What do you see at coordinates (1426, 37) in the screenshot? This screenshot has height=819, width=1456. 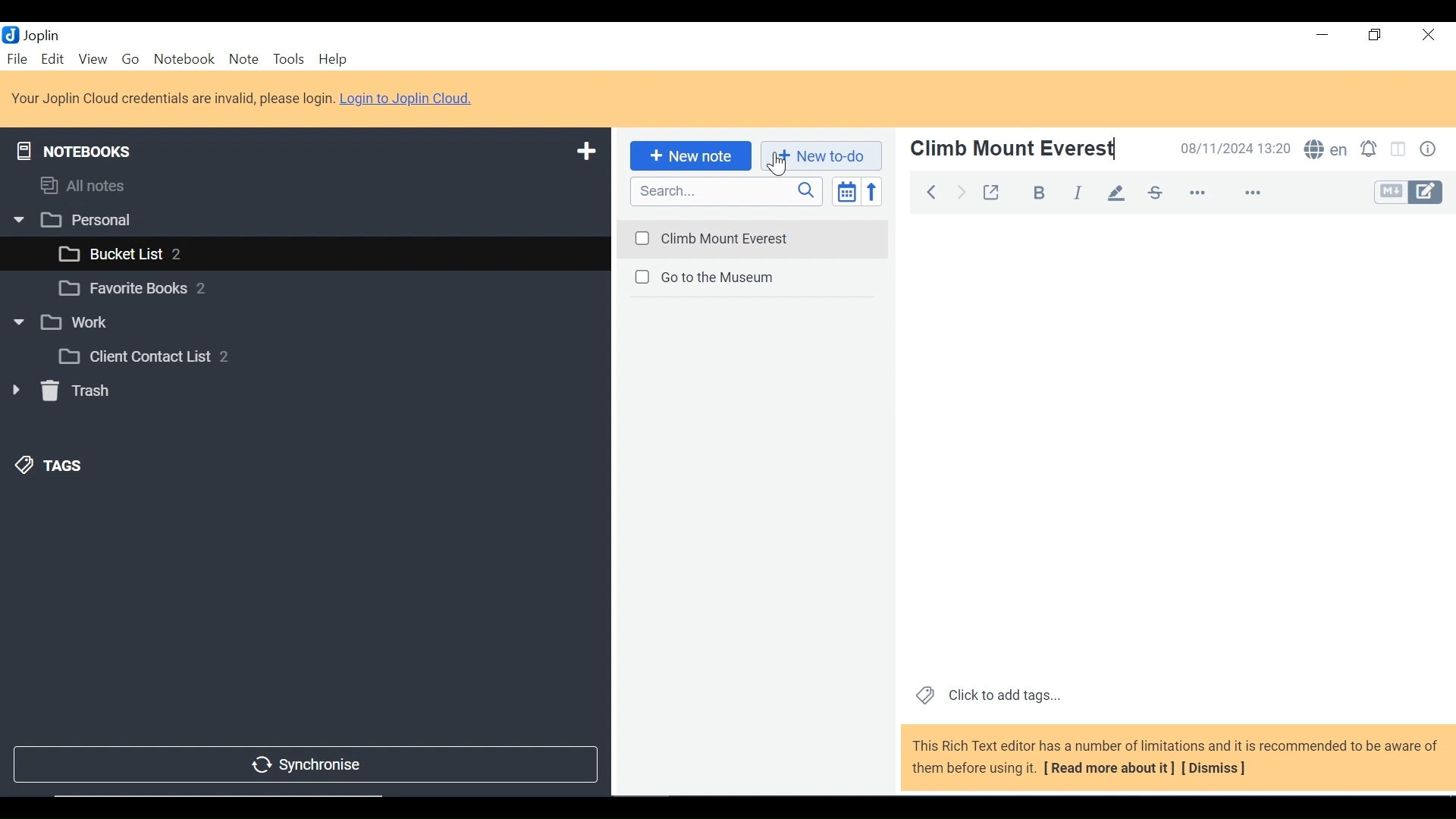 I see `Close` at bounding box center [1426, 37].